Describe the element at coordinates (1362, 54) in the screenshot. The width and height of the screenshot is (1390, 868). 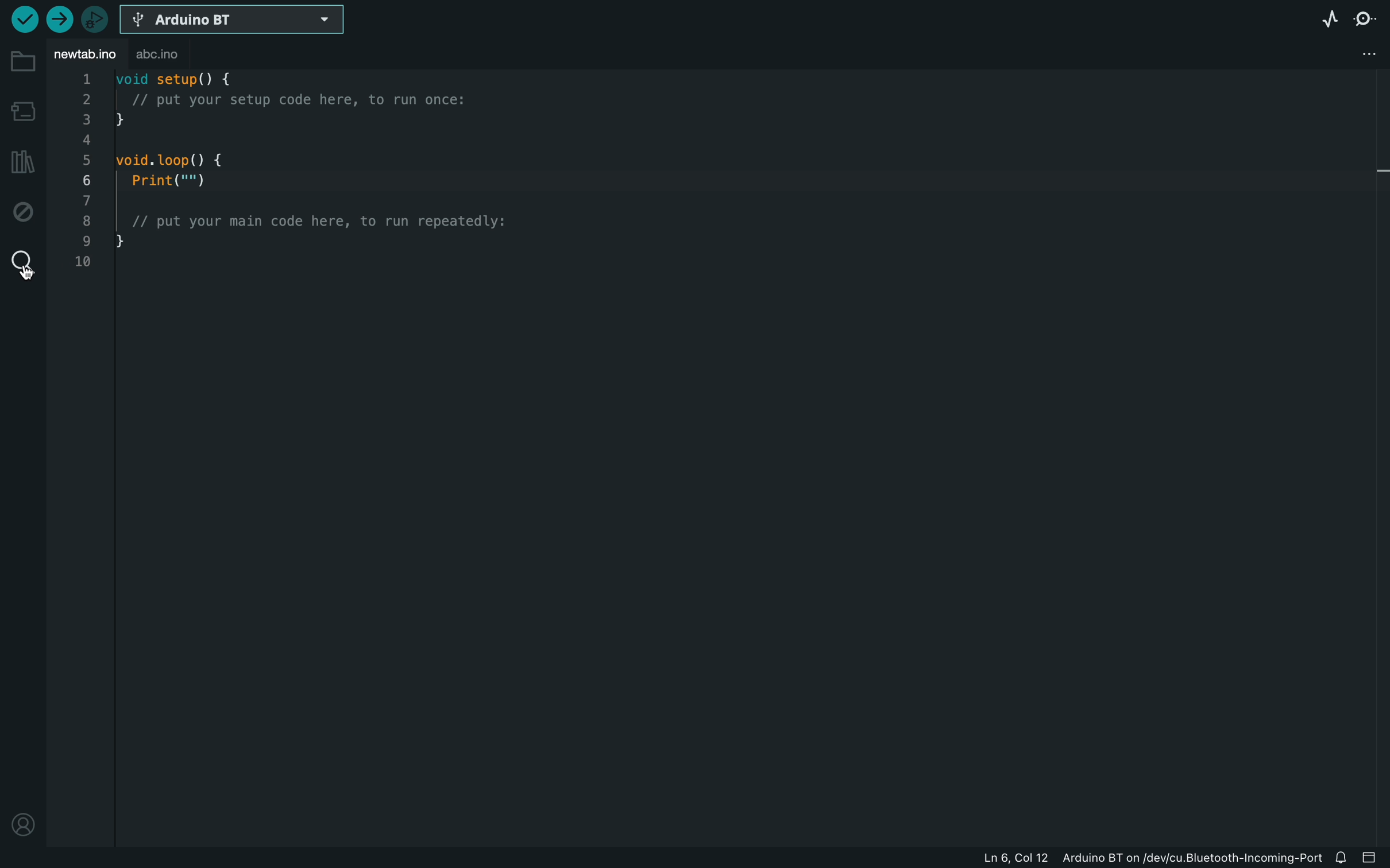
I see `file setting` at that location.